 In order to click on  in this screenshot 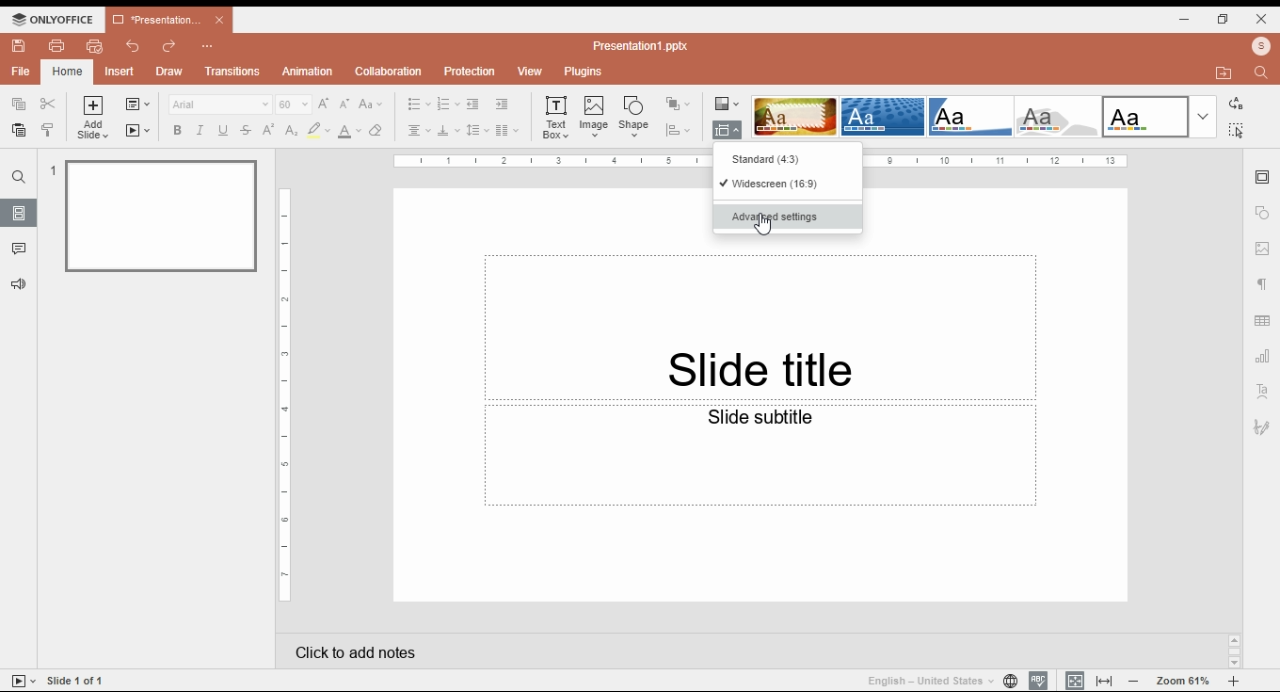, I will do `click(1265, 428)`.